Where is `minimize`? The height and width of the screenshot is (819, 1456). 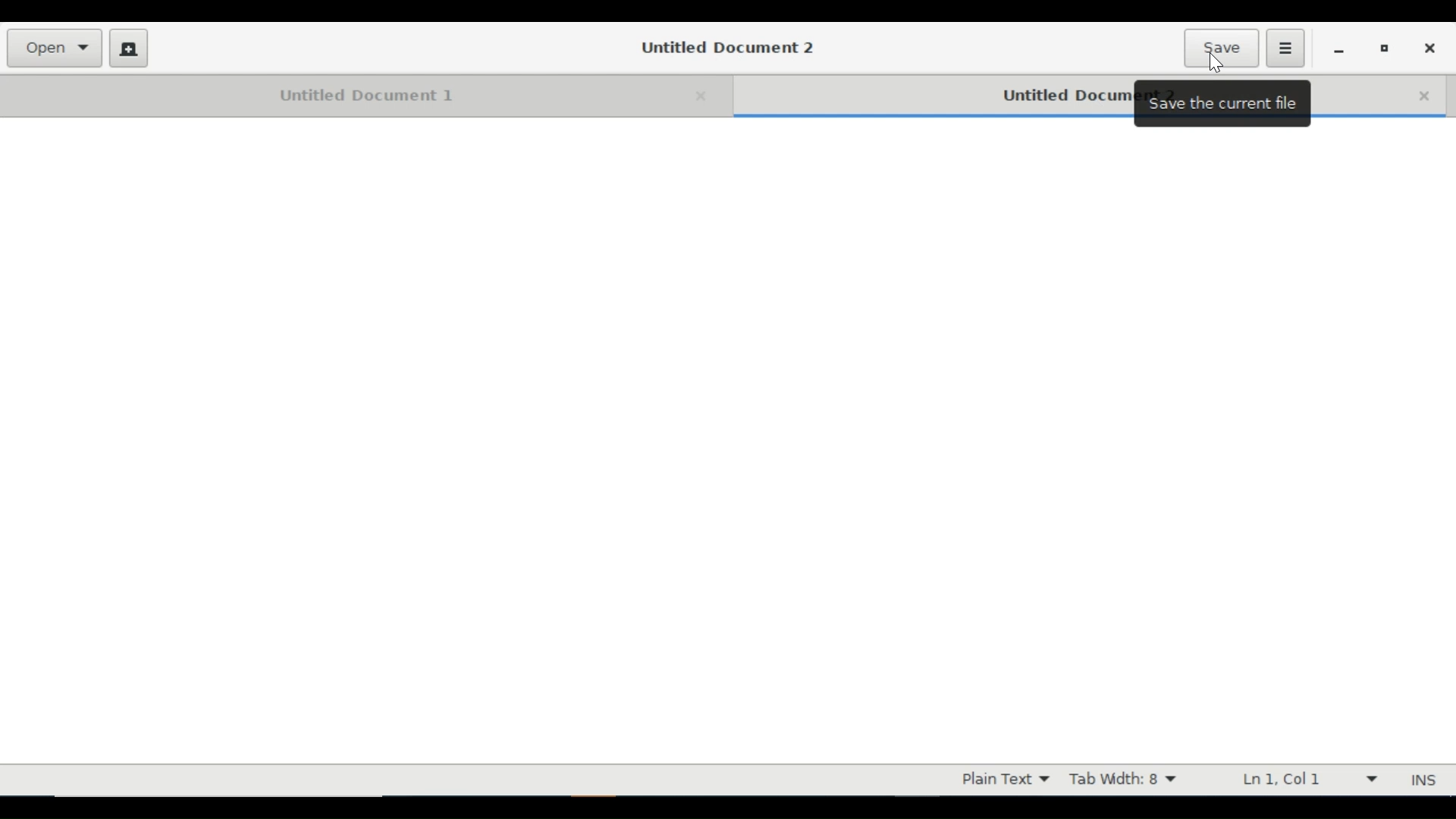
minimize is located at coordinates (1339, 50).